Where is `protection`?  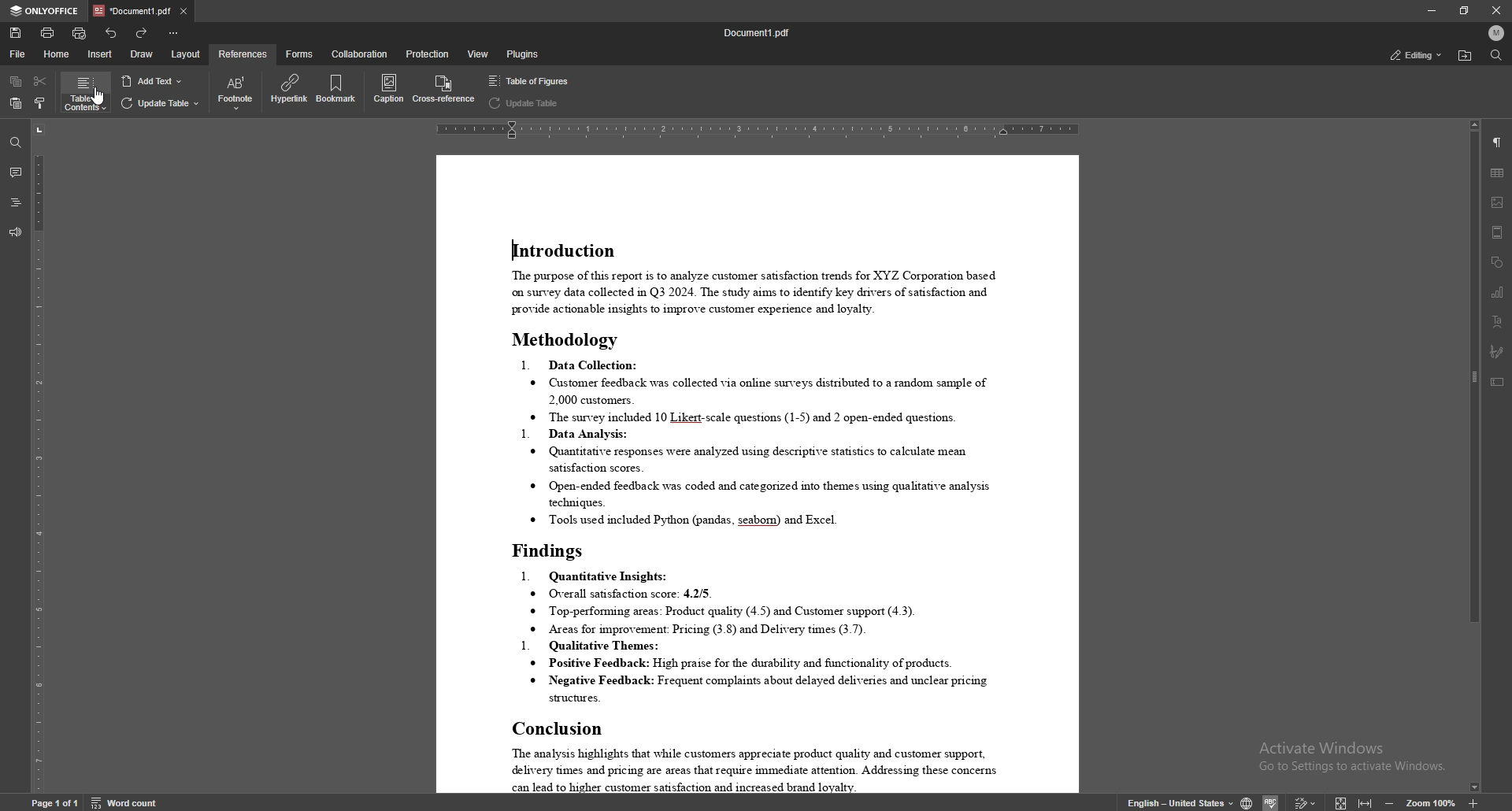 protection is located at coordinates (427, 54).